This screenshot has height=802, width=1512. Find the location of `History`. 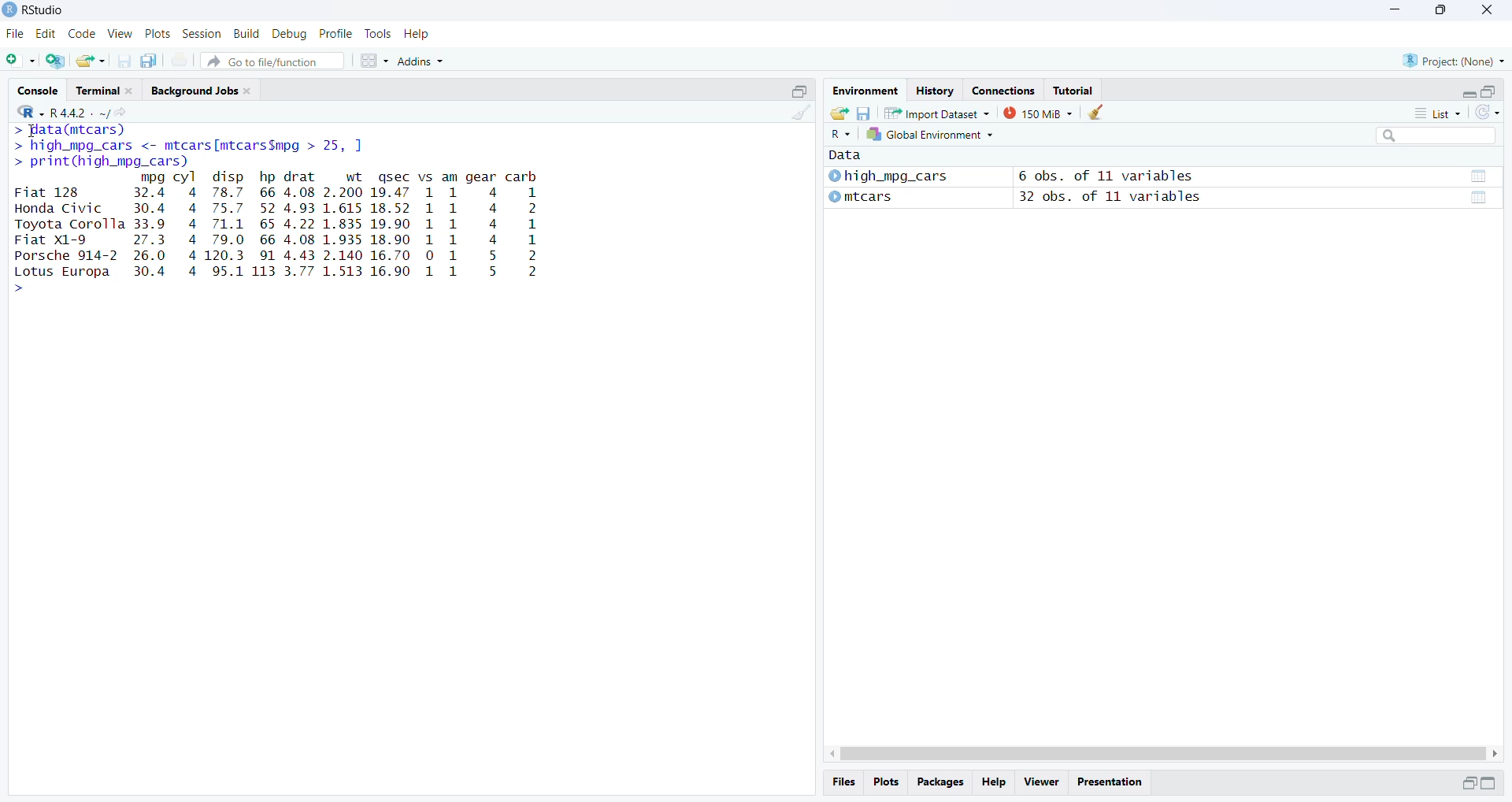

History is located at coordinates (934, 89).